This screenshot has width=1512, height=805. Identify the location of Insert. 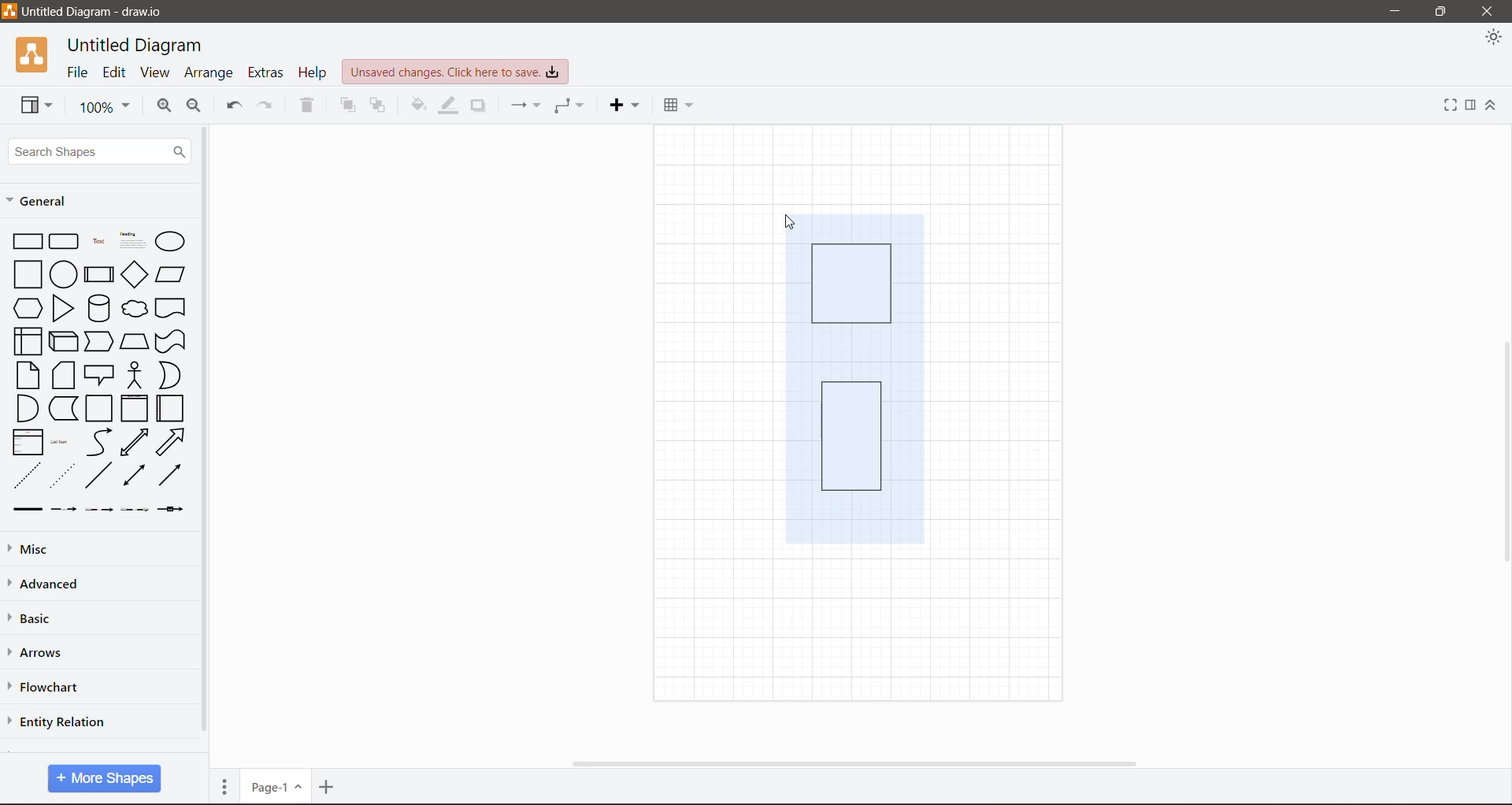
(624, 106).